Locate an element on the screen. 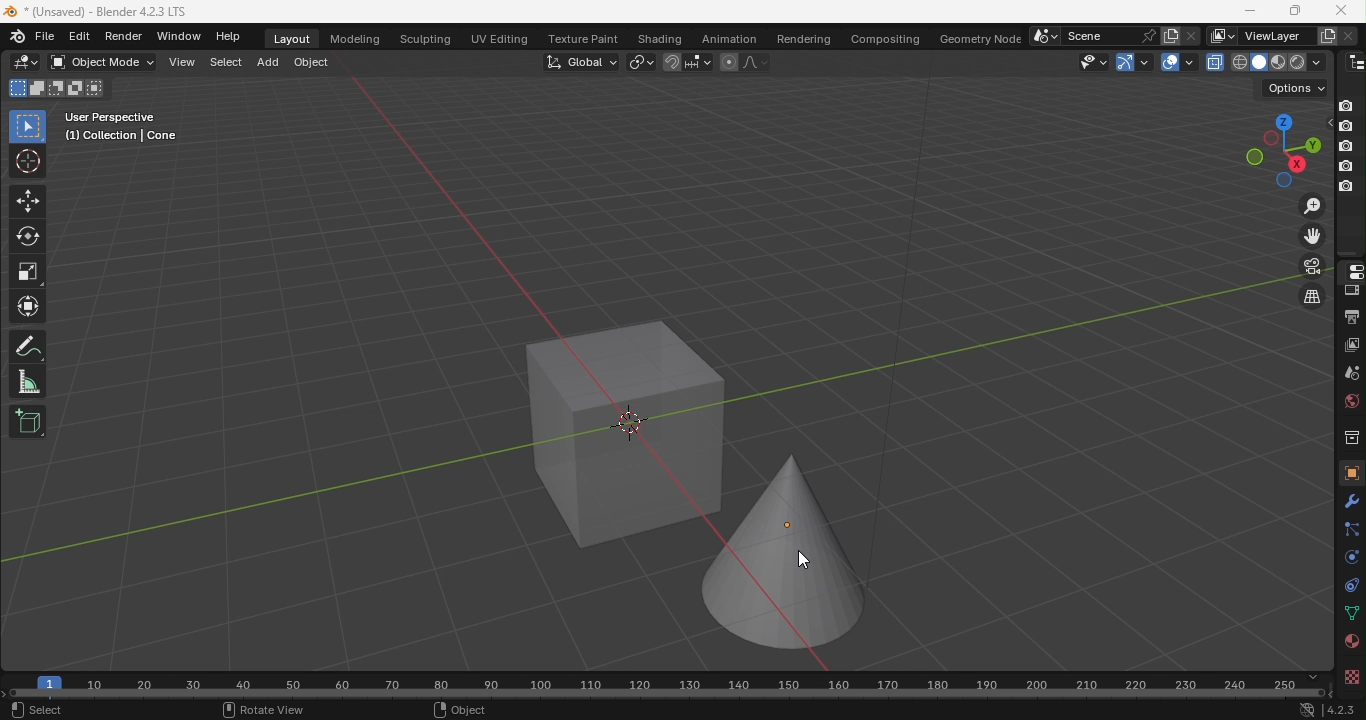 Image resolution: width=1366 pixels, height=720 pixels. Close is located at coordinates (1343, 10).